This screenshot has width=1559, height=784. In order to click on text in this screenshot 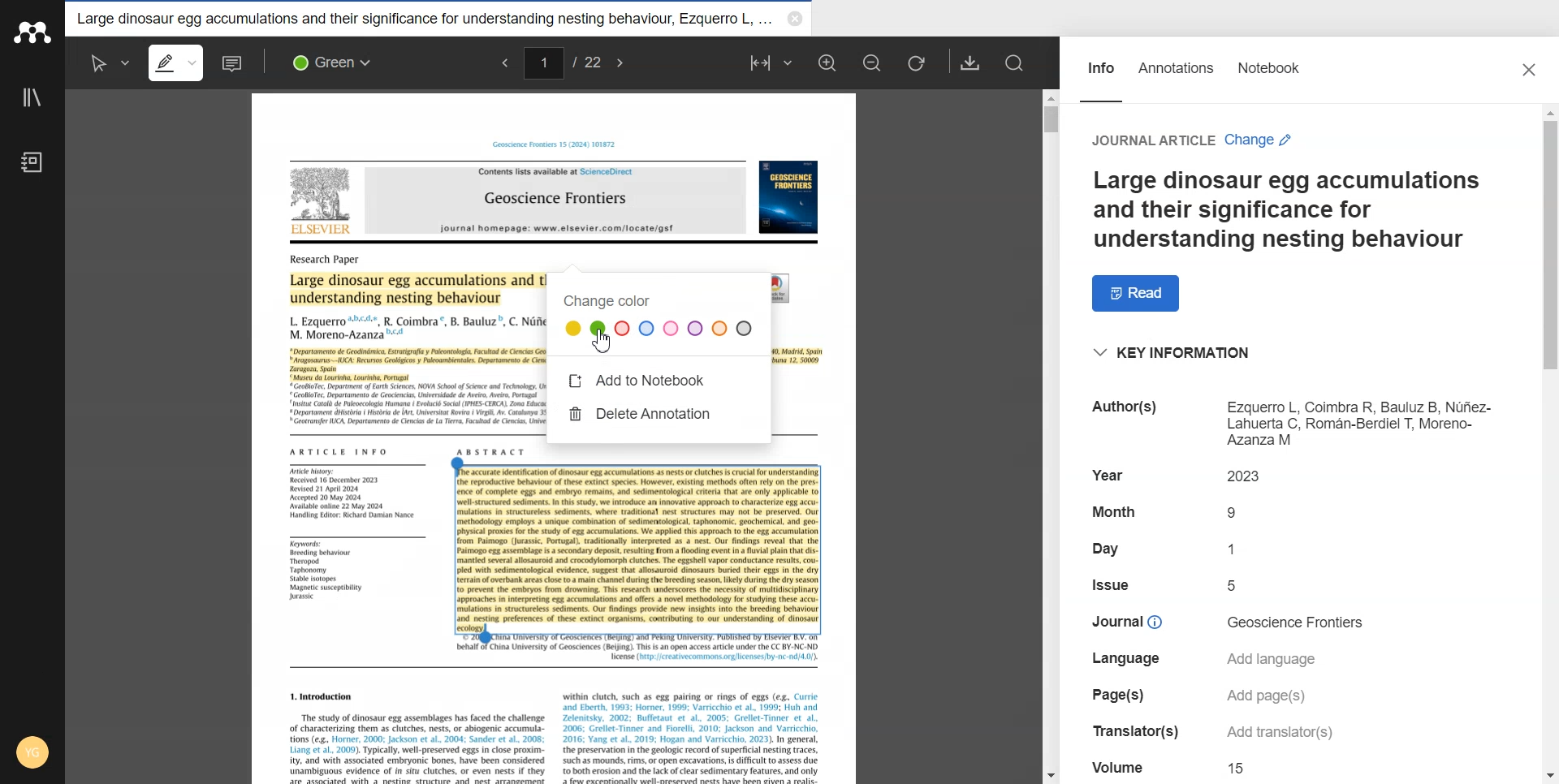, I will do `click(1128, 731)`.